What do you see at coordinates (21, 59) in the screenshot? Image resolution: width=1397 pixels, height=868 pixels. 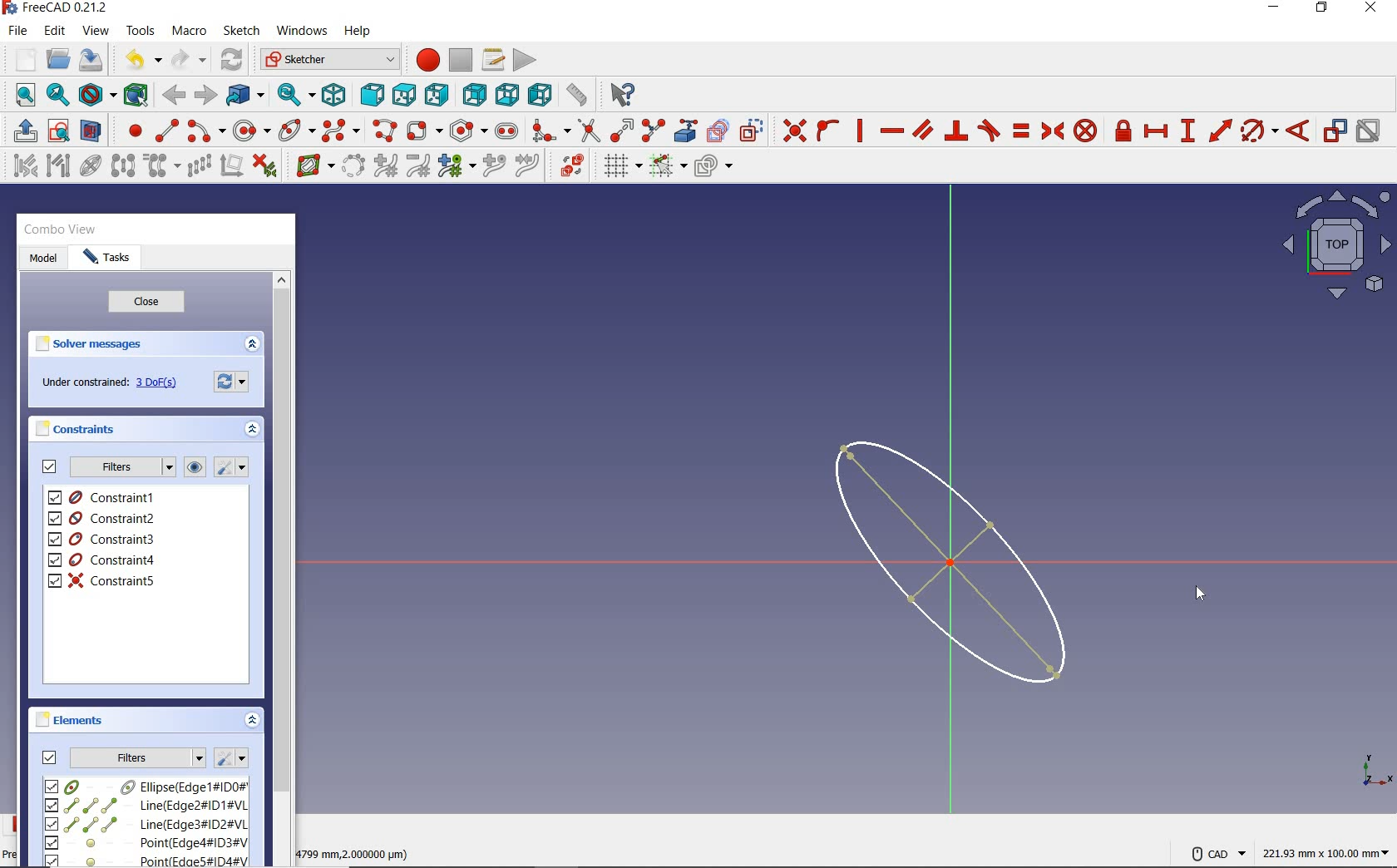 I see `new` at bounding box center [21, 59].